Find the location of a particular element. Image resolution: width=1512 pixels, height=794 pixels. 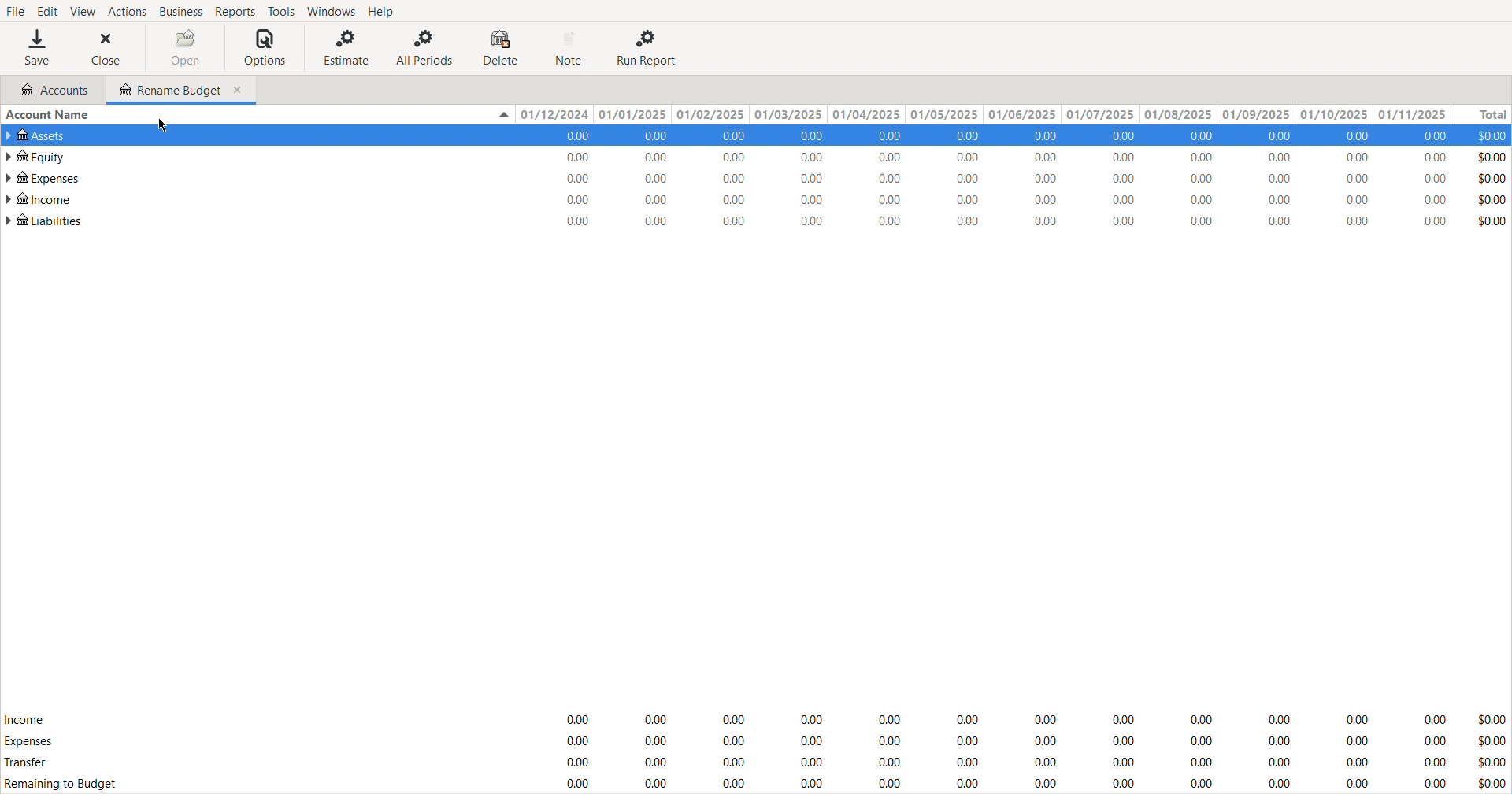

Edit is located at coordinates (45, 9).